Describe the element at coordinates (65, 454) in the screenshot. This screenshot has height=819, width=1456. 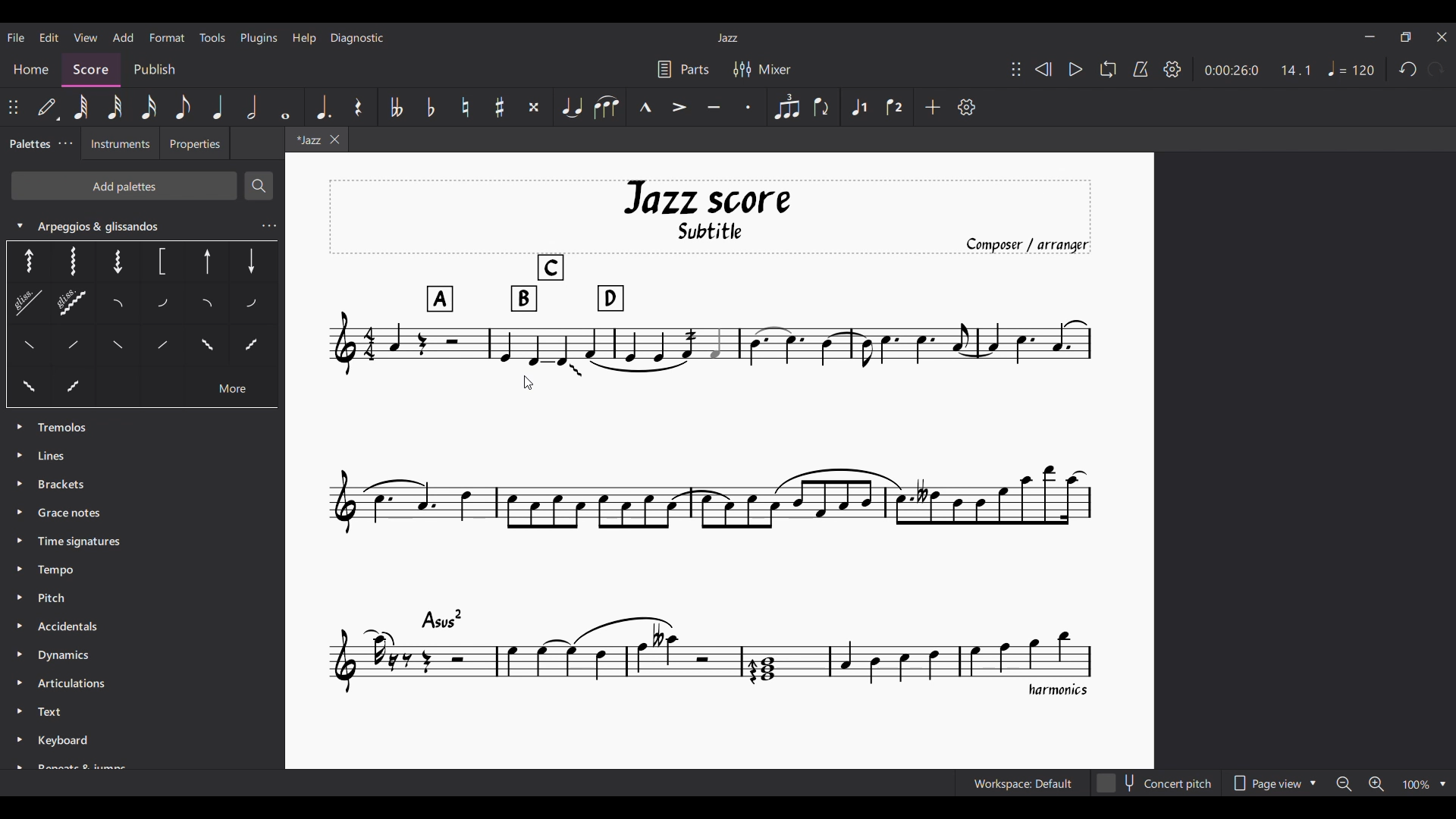
I see `Lines` at that location.